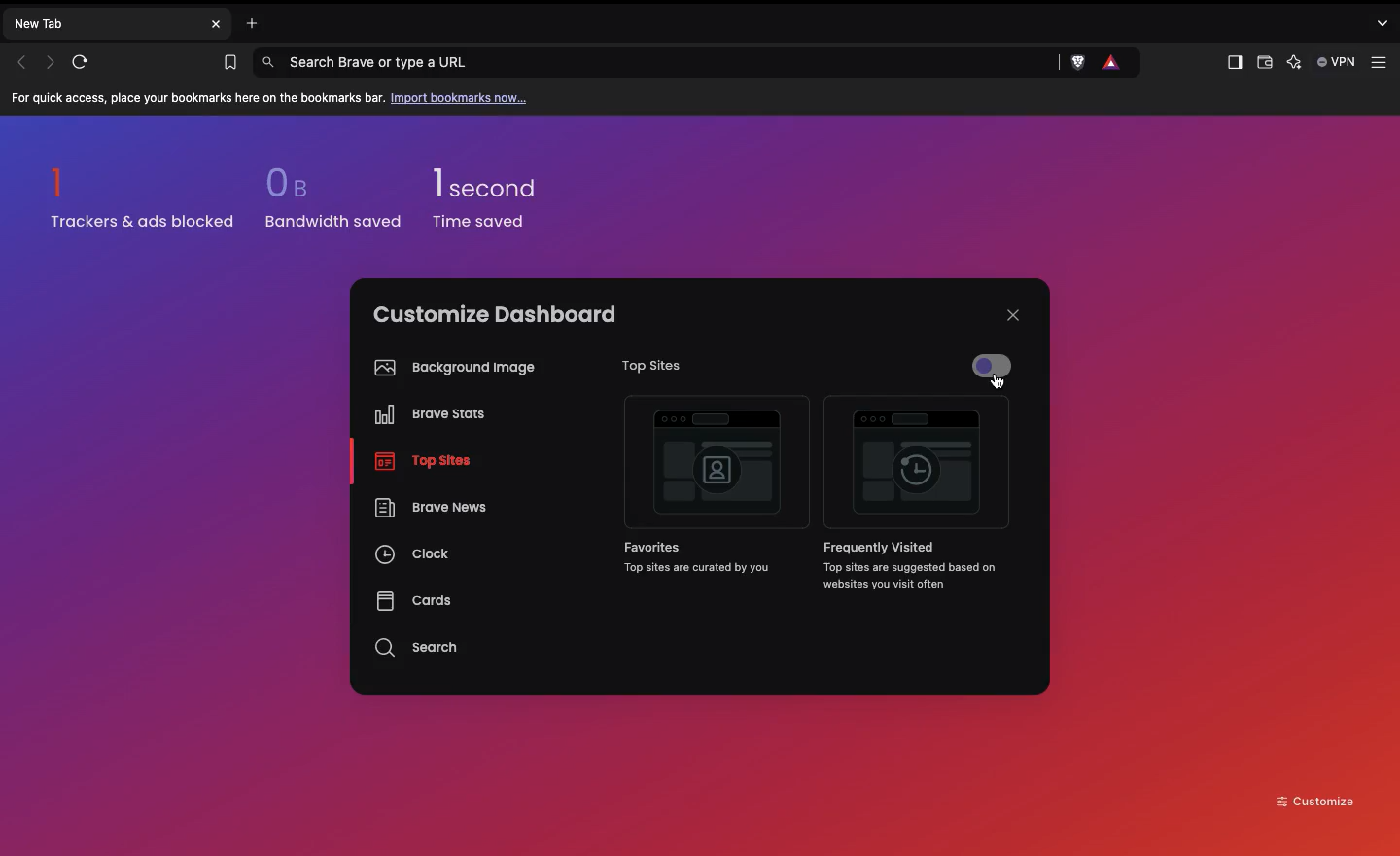 This screenshot has height=856, width=1400. What do you see at coordinates (497, 190) in the screenshot?
I see `1 second time saved` at bounding box center [497, 190].